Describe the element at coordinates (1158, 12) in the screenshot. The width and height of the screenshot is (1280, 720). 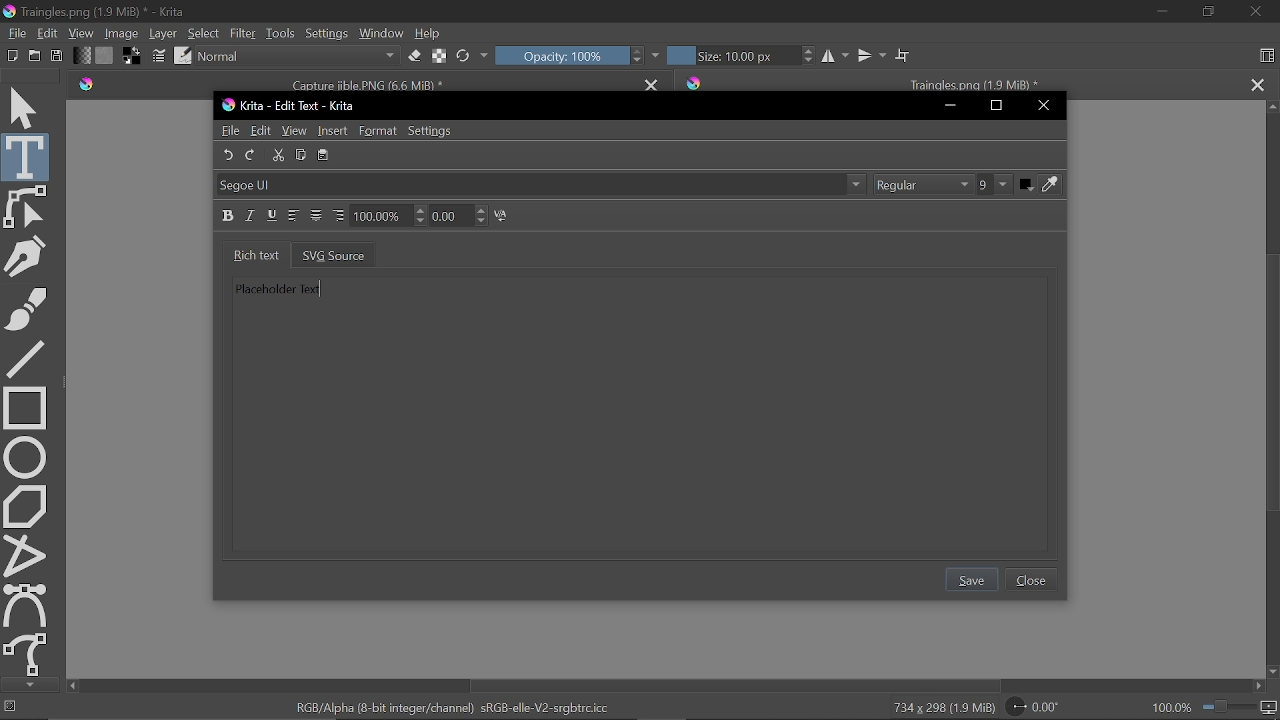
I see `Minimize` at that location.